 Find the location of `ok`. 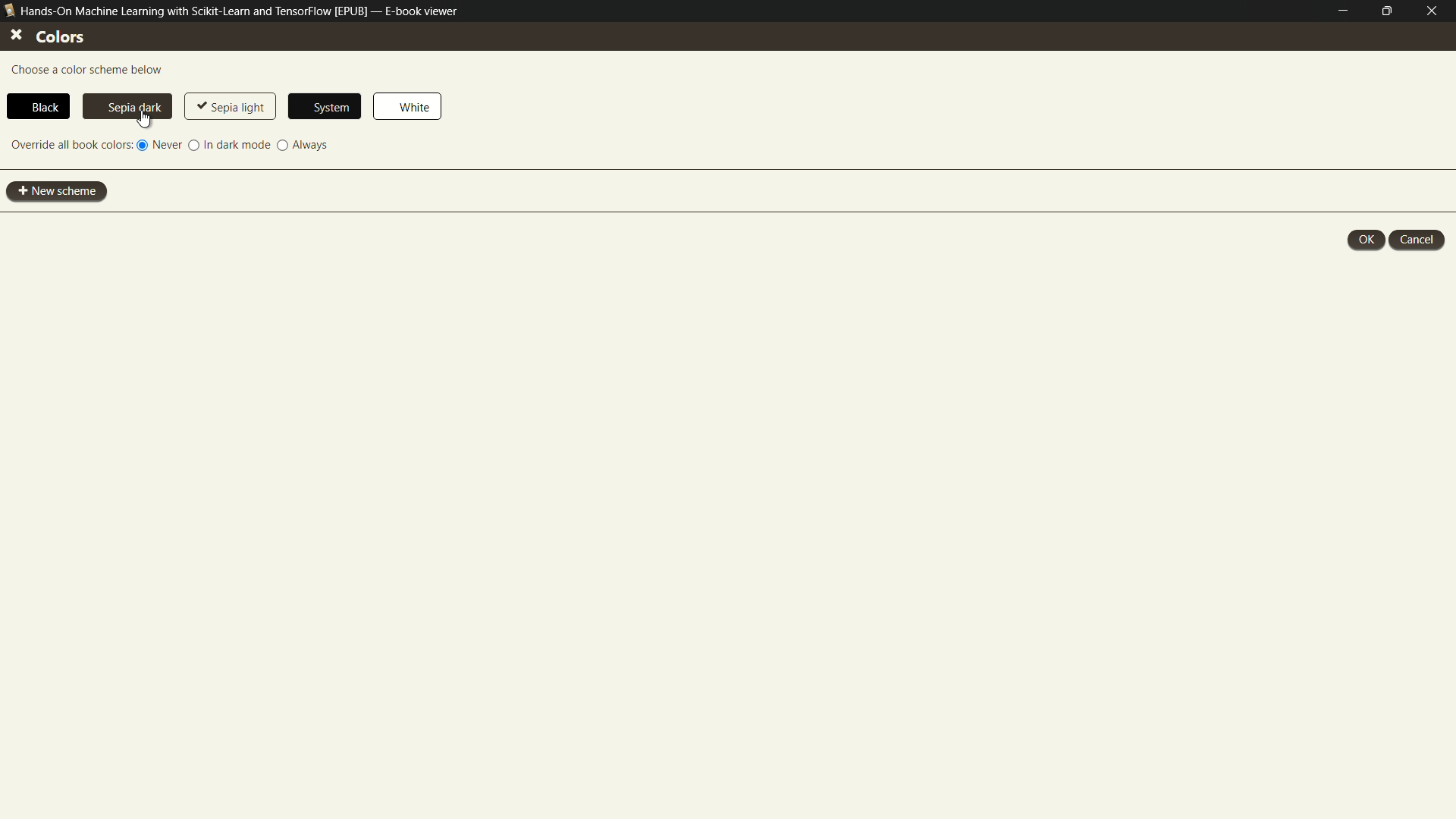

ok is located at coordinates (1367, 240).